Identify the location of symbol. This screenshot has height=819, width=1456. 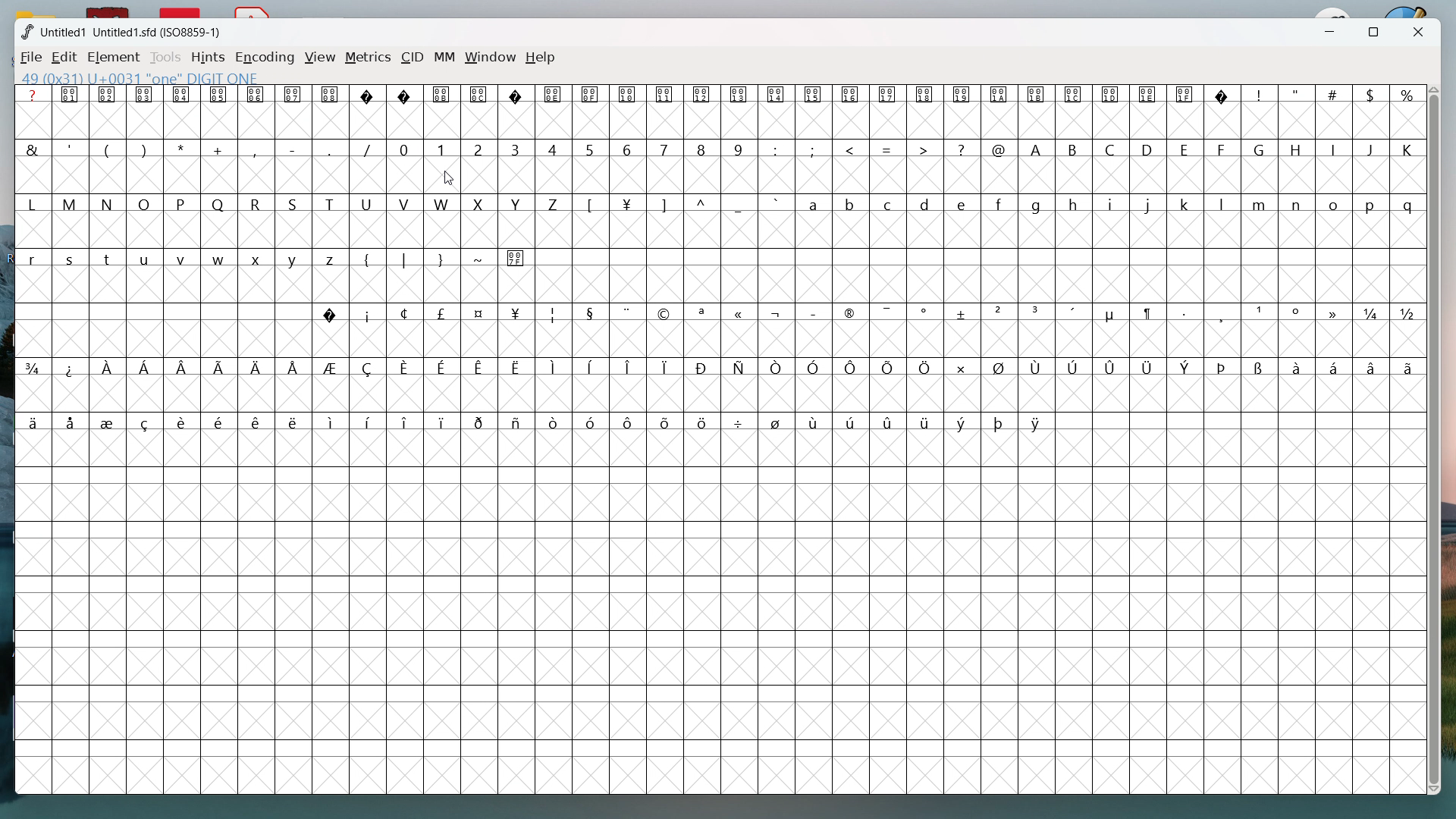
(516, 258).